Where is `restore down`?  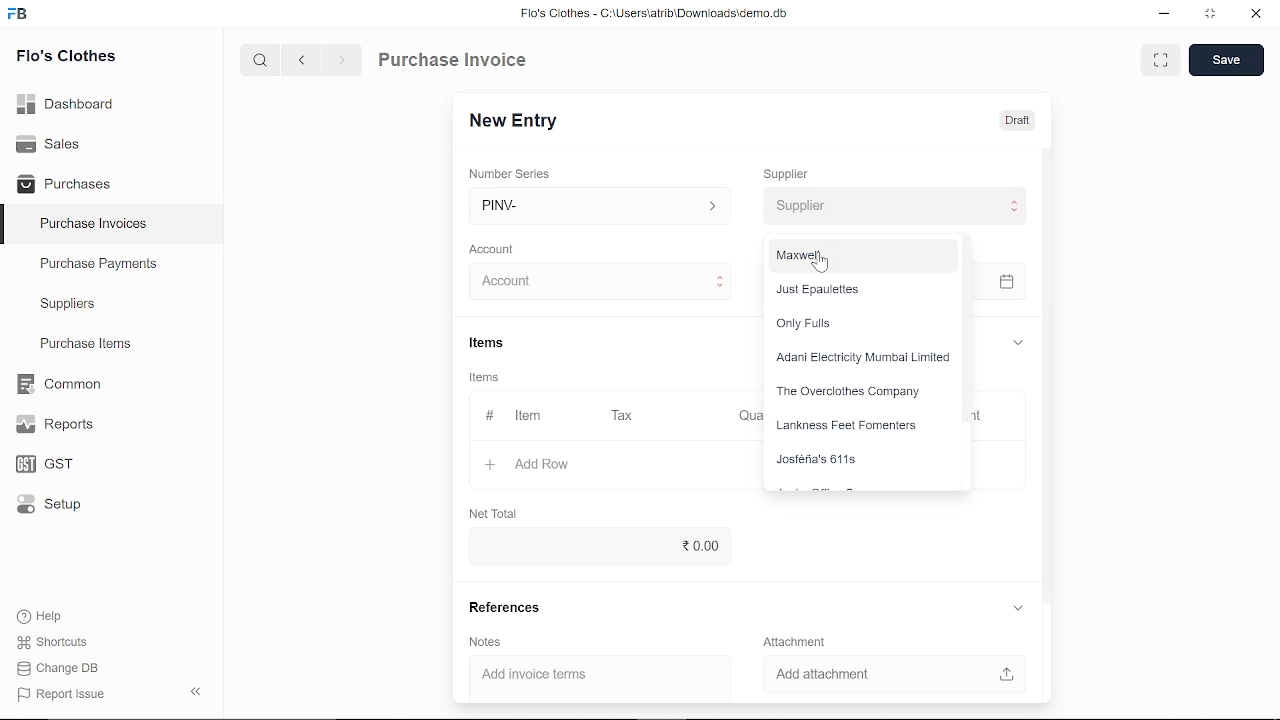 restore down is located at coordinates (1214, 15).